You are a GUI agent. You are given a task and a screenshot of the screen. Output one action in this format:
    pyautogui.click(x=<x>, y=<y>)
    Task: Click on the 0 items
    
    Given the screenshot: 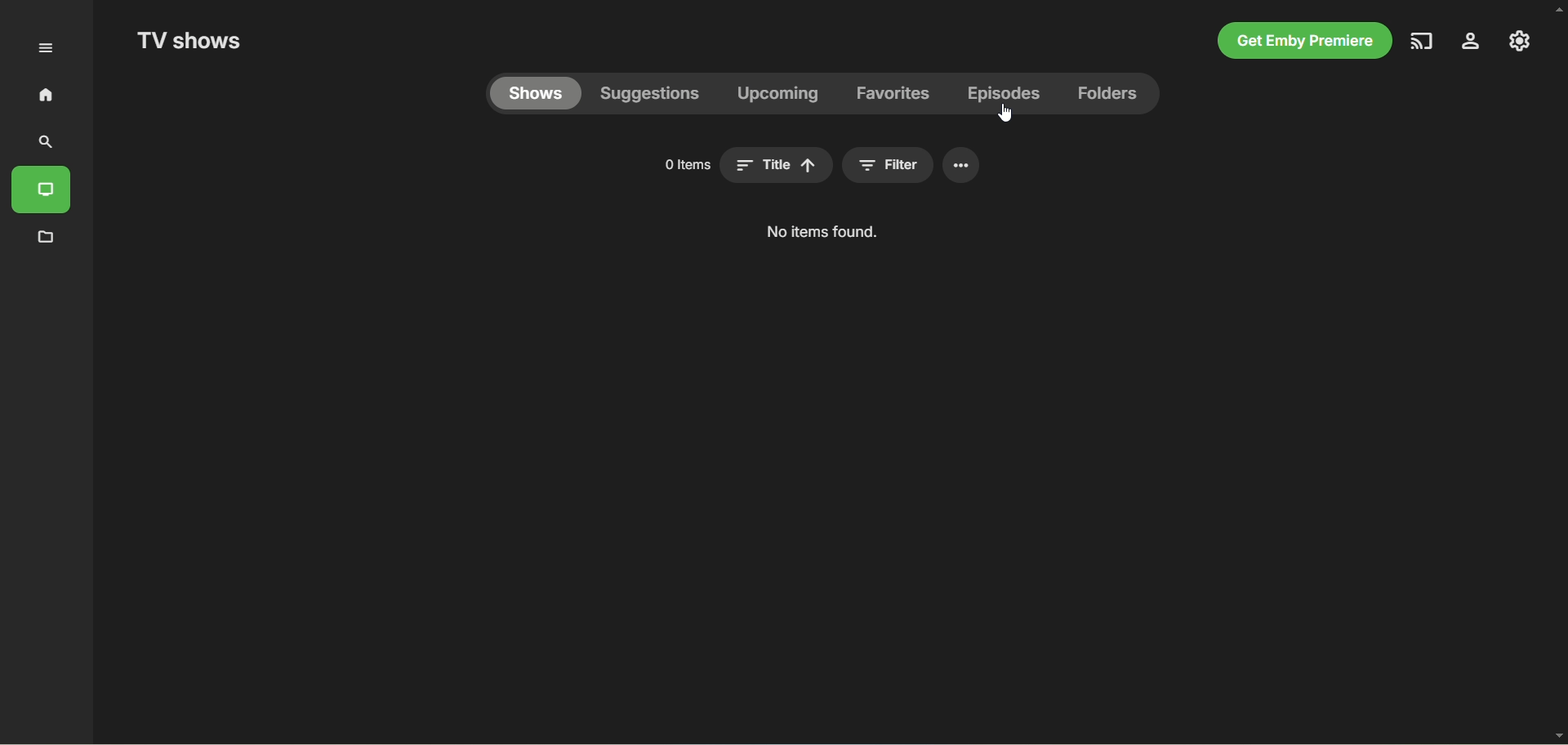 What is the action you would take?
    pyautogui.click(x=686, y=165)
    